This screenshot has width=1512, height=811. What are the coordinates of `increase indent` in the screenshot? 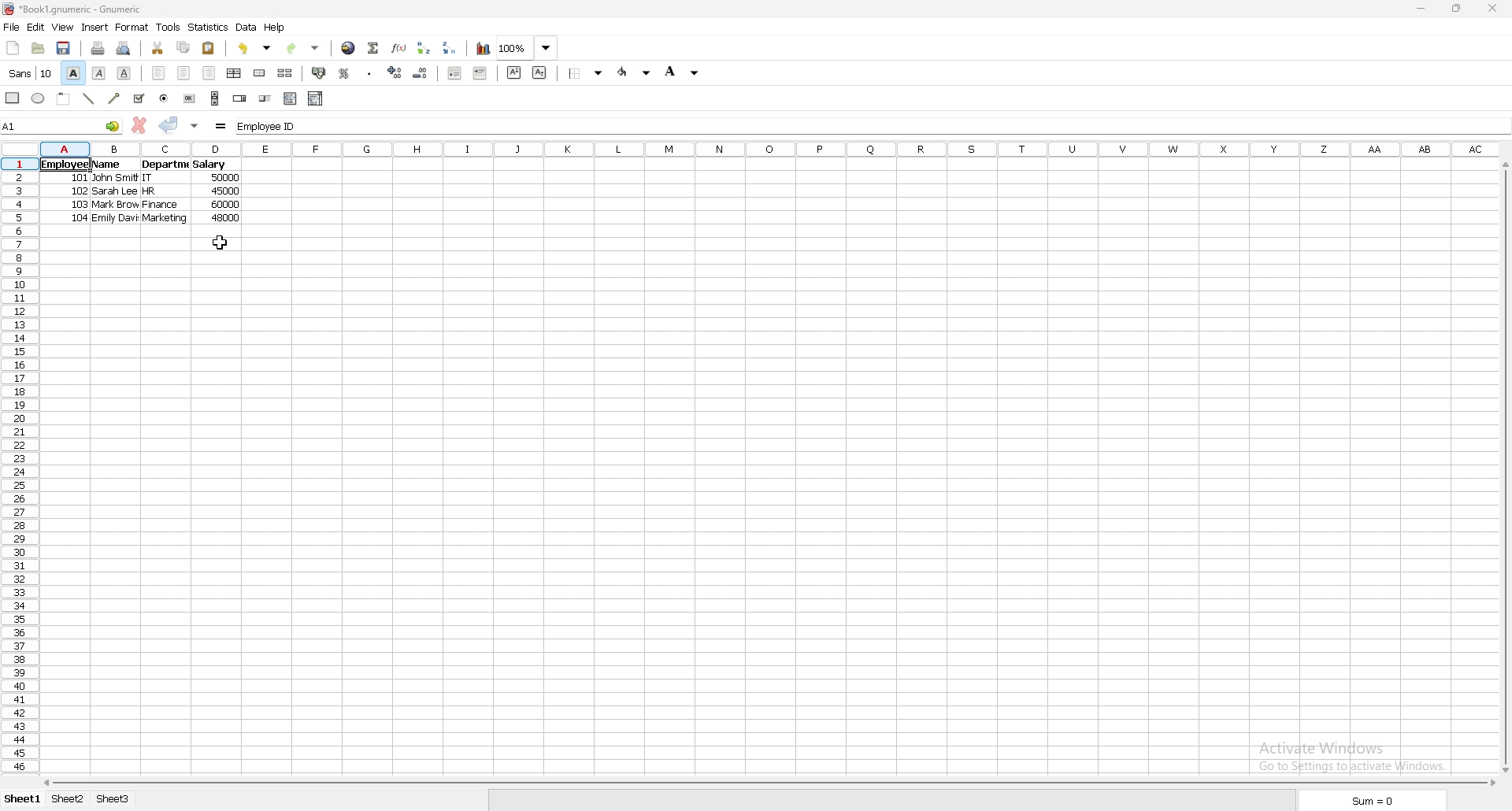 It's located at (480, 72).